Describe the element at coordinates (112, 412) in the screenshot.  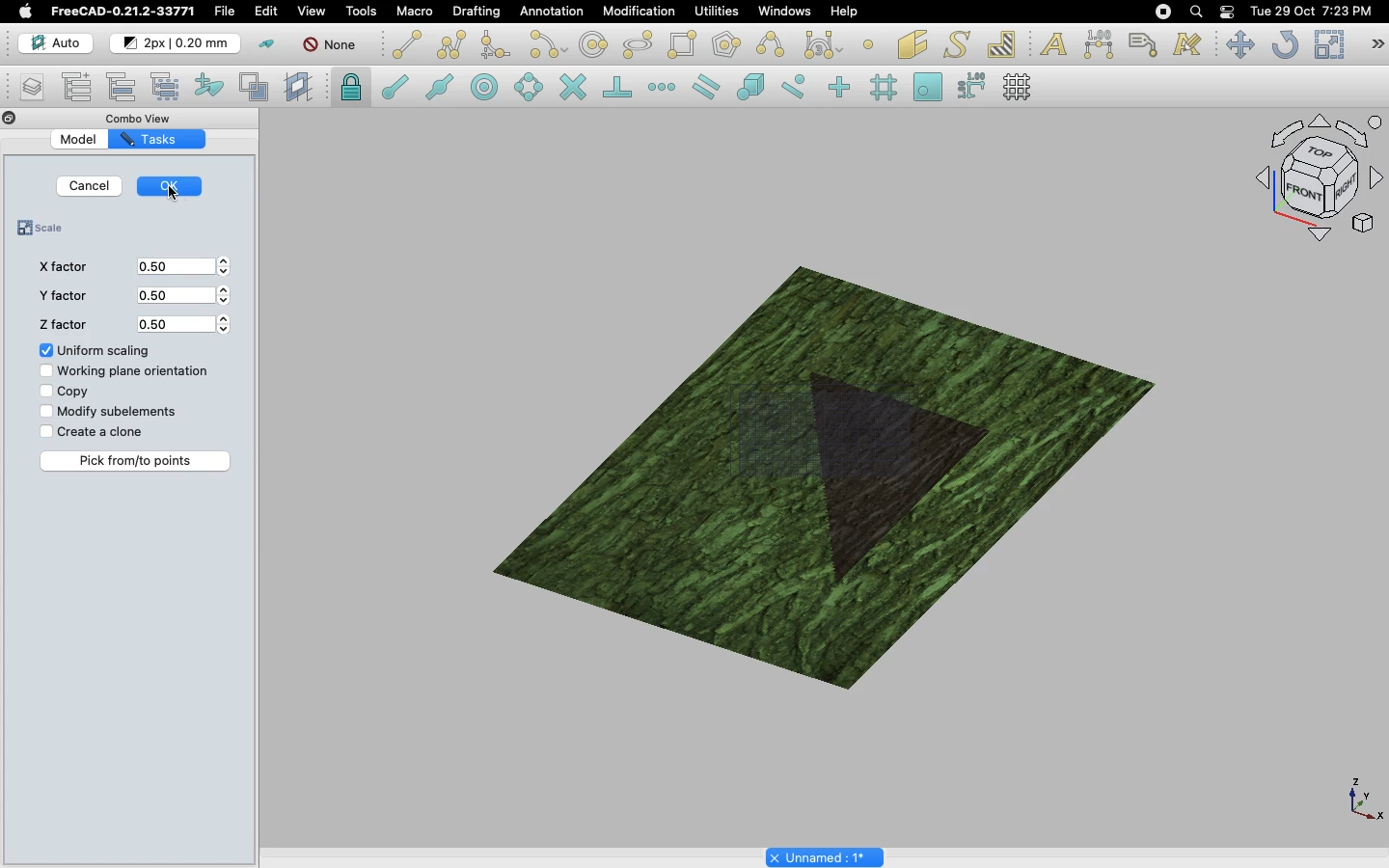
I see `Modify subelements` at that location.